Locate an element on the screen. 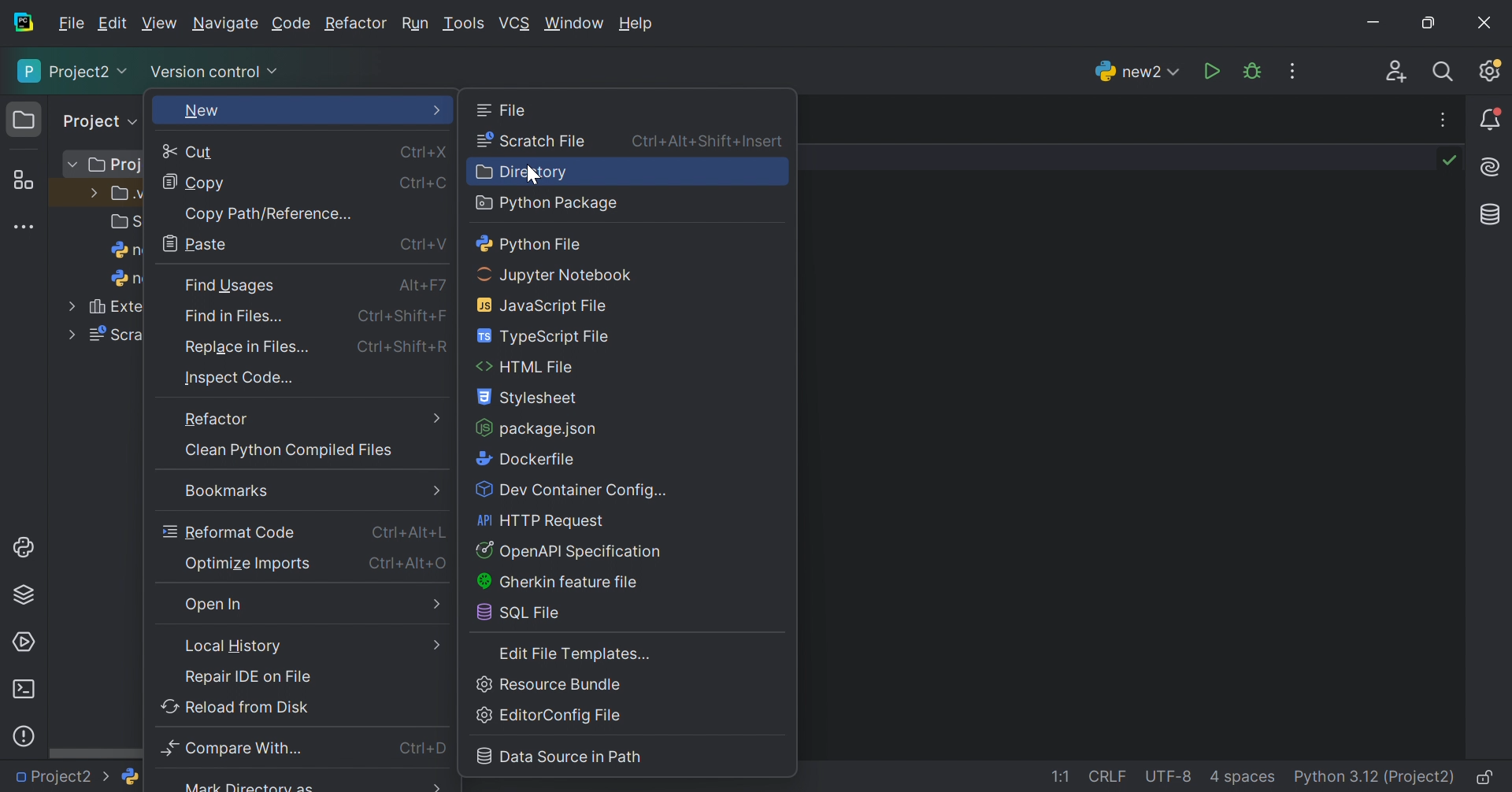 Image resolution: width=1512 pixels, height=792 pixels. Project icon is located at coordinates (24, 117).